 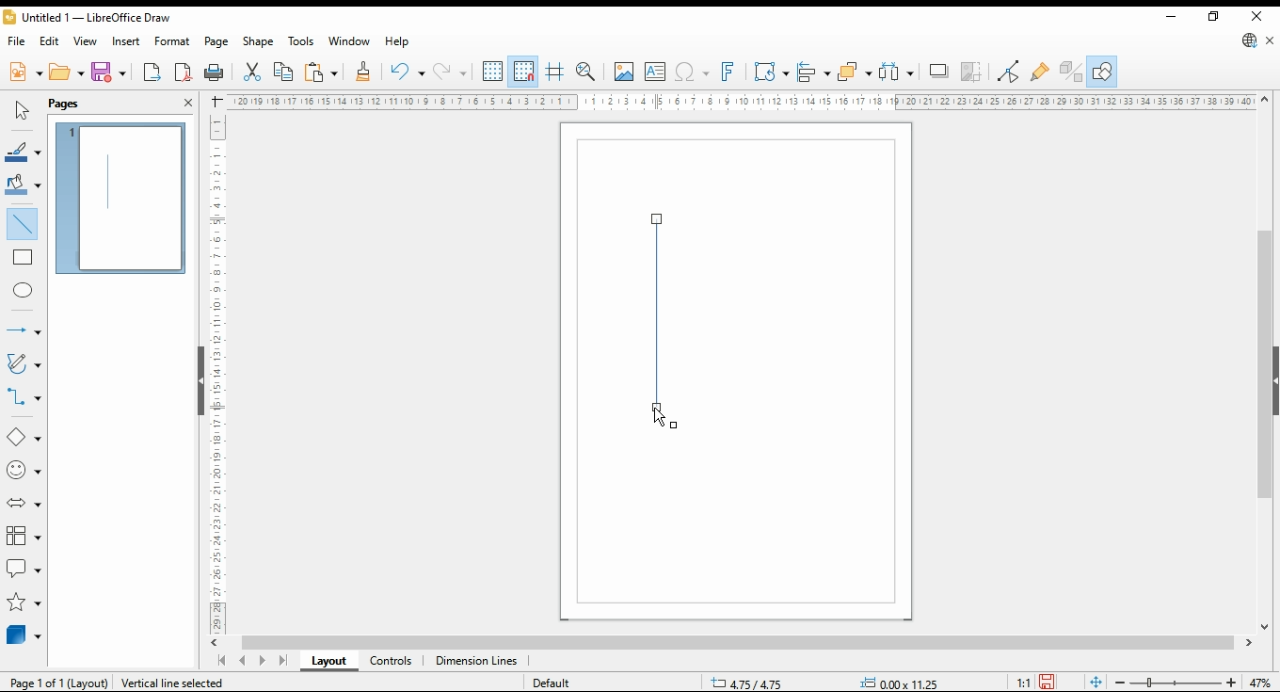 What do you see at coordinates (266, 661) in the screenshot?
I see `next page` at bounding box center [266, 661].